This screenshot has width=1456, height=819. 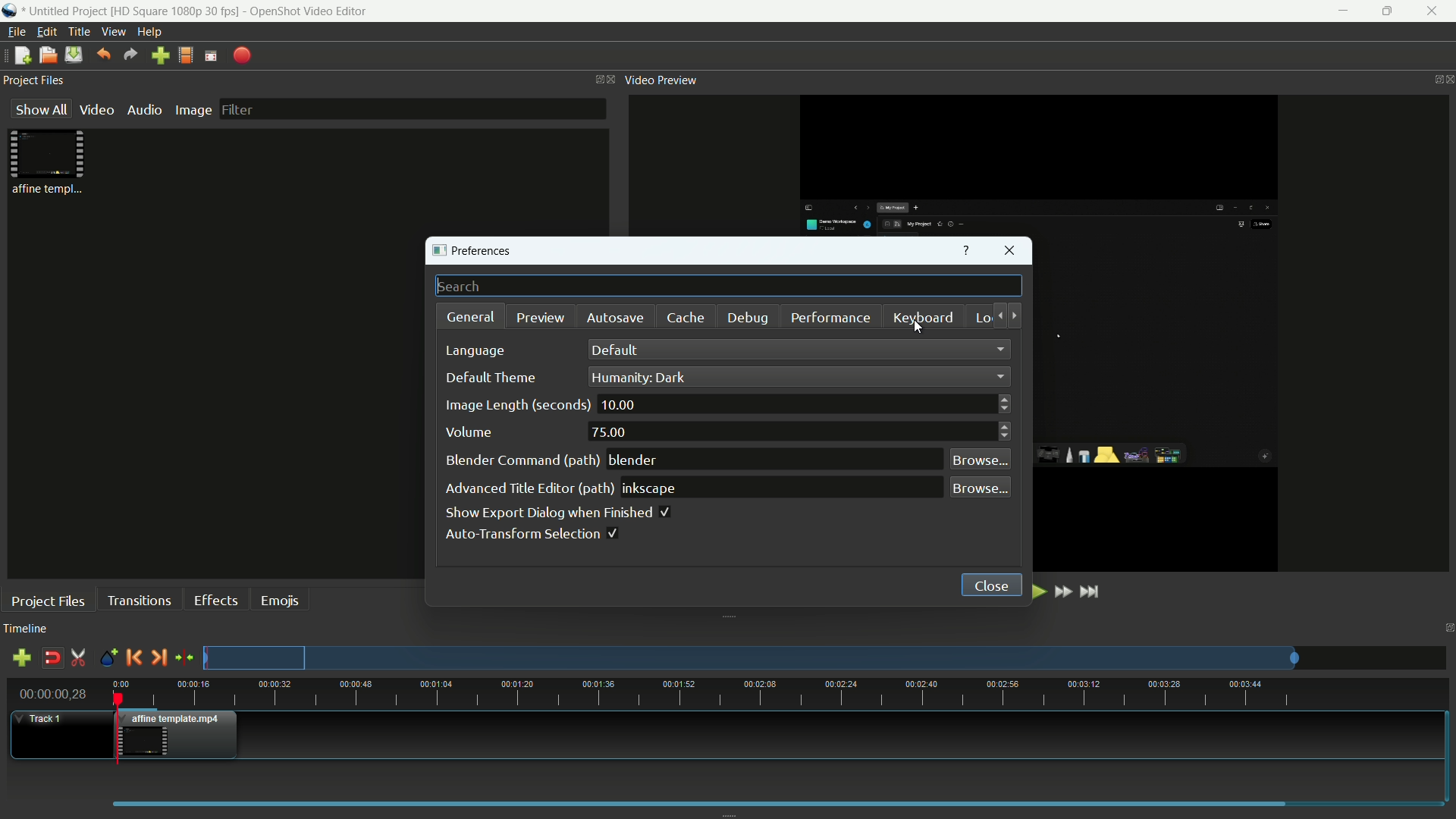 What do you see at coordinates (36, 81) in the screenshot?
I see `project files` at bounding box center [36, 81].